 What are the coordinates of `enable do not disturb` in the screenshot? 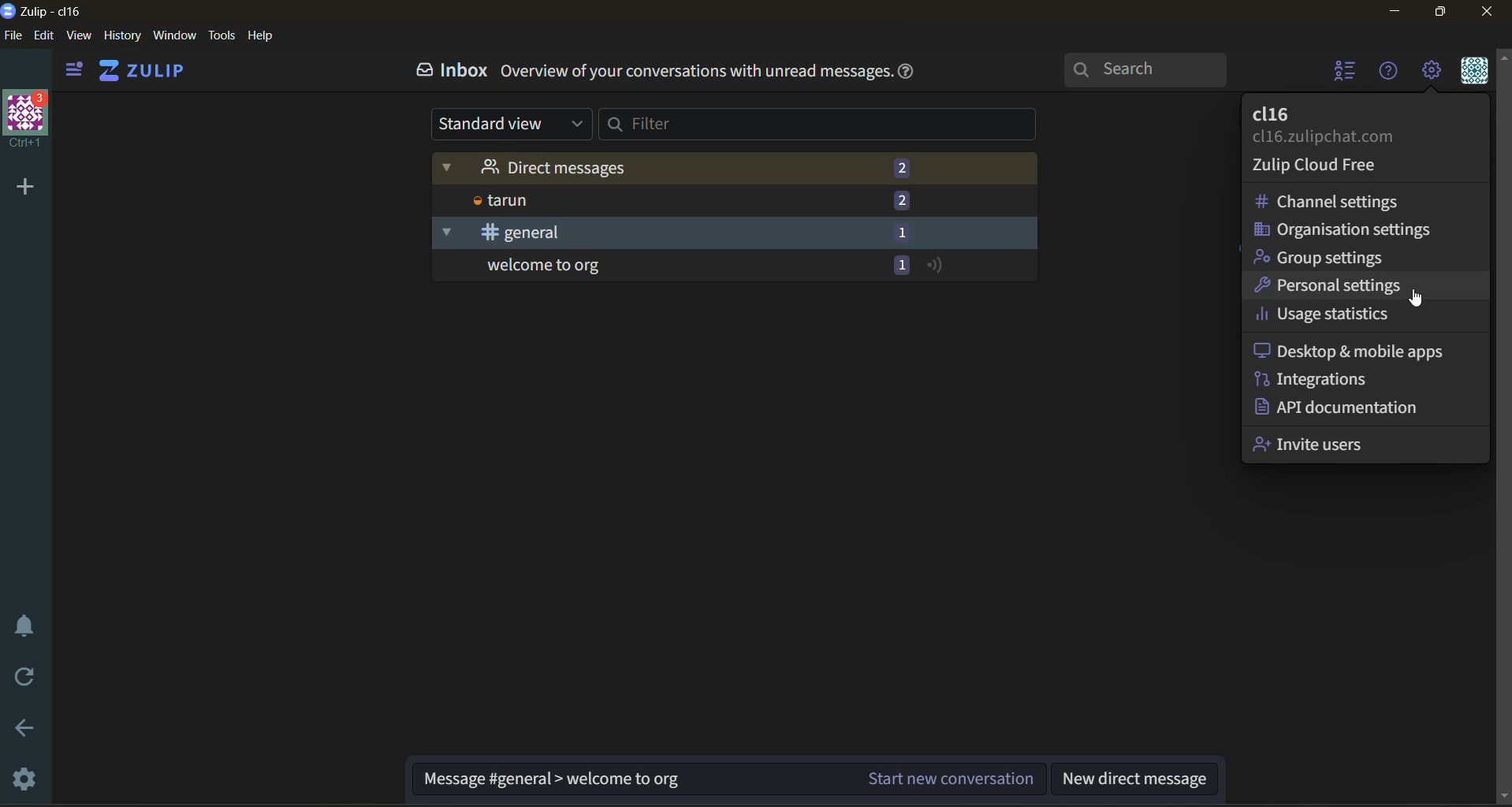 It's located at (22, 623).